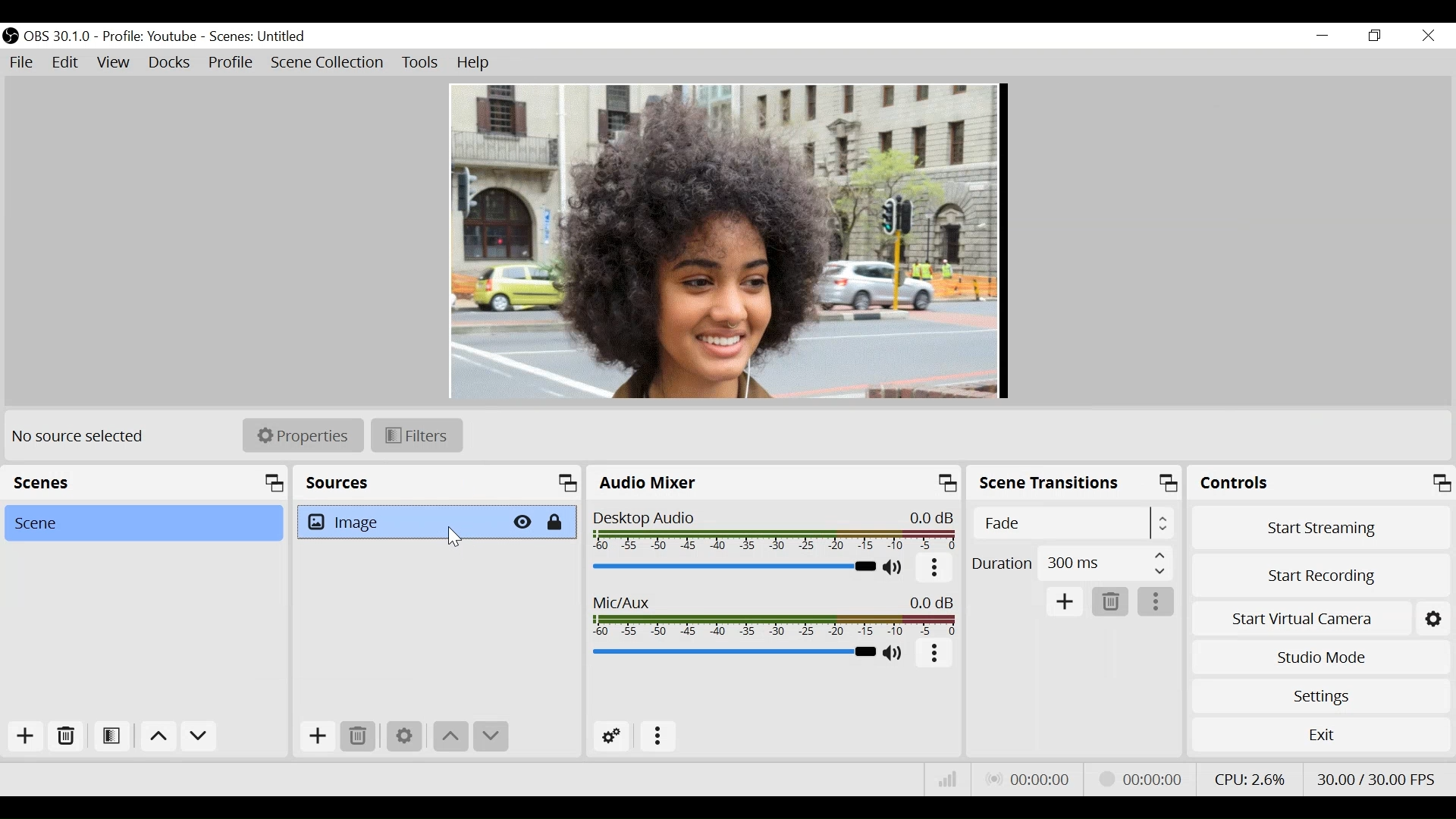 The image size is (1456, 819). Describe the element at coordinates (169, 64) in the screenshot. I see `Docks` at that location.